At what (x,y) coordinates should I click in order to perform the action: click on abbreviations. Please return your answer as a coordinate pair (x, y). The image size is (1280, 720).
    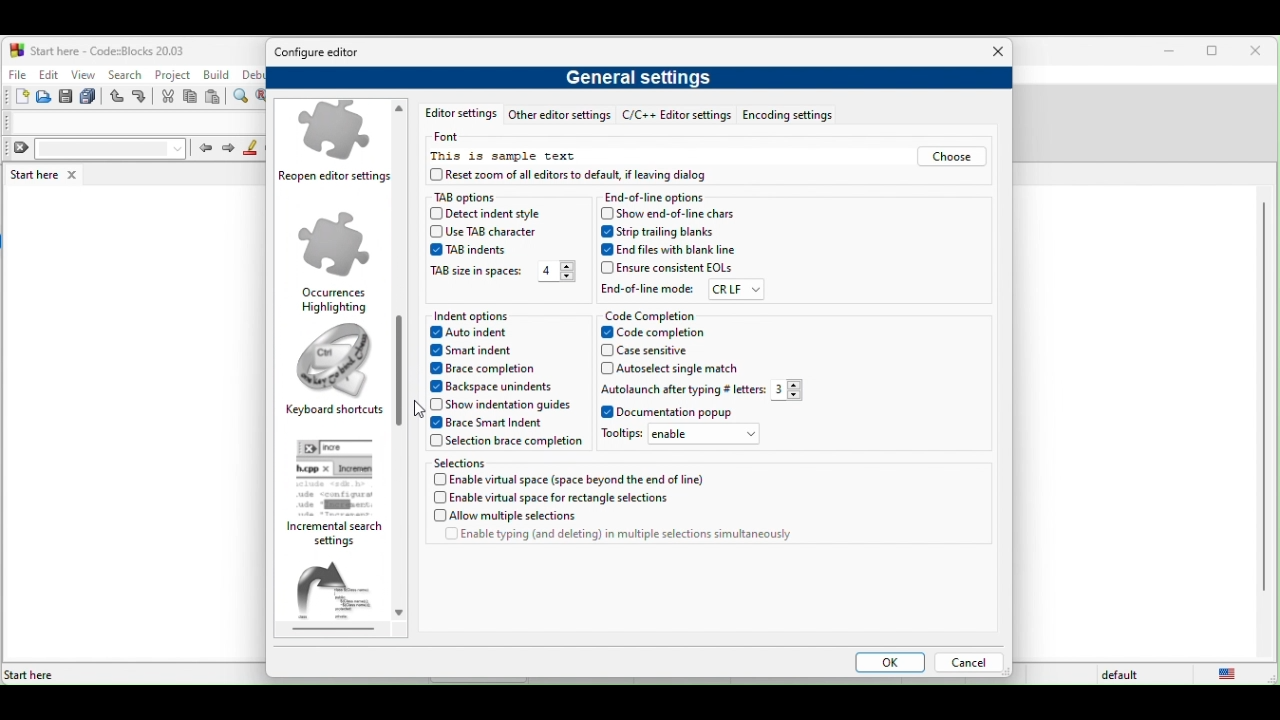
    Looking at the image, I should click on (342, 597).